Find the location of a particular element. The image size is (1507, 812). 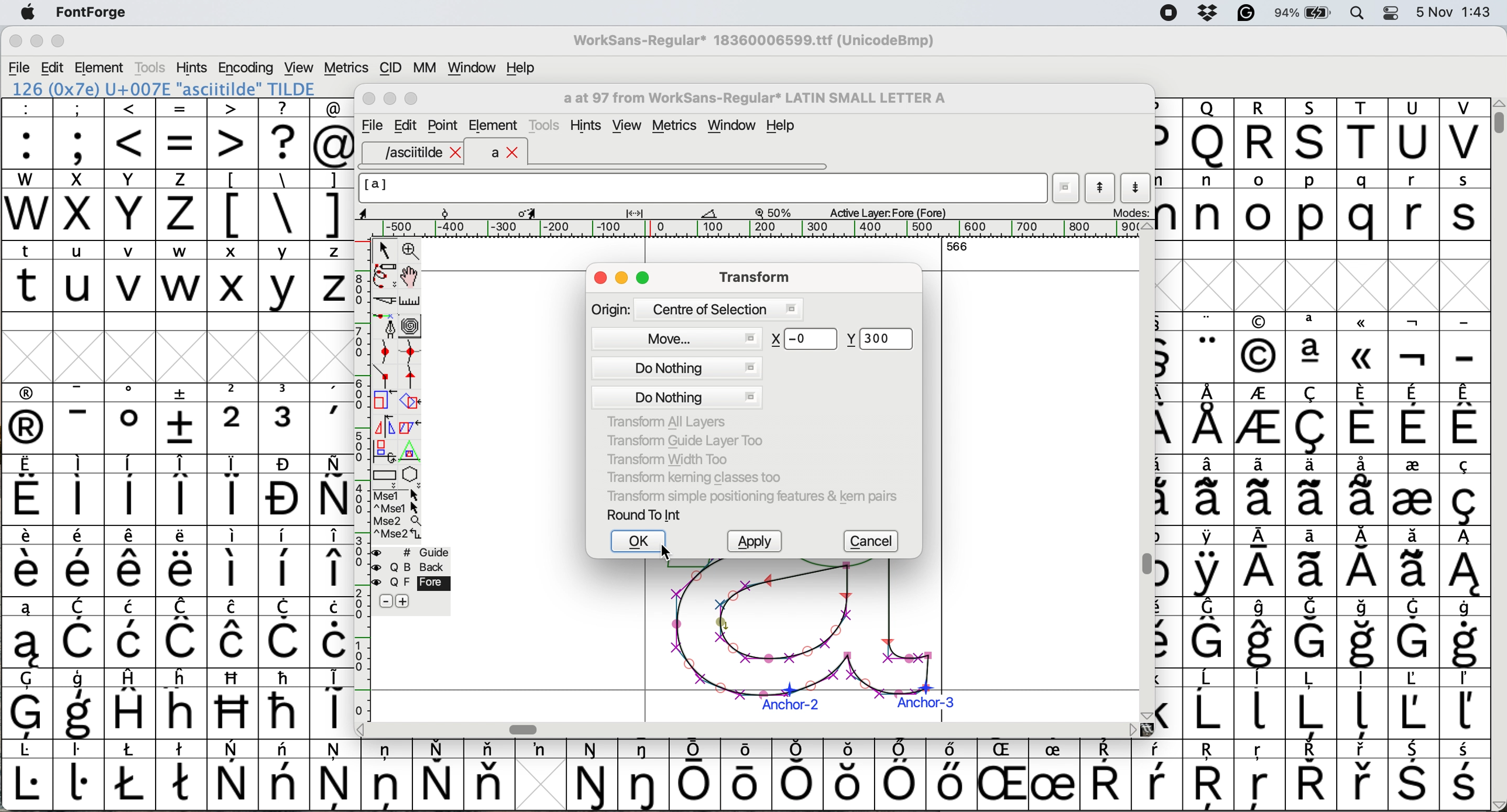

symbol is located at coordinates (1312, 633).